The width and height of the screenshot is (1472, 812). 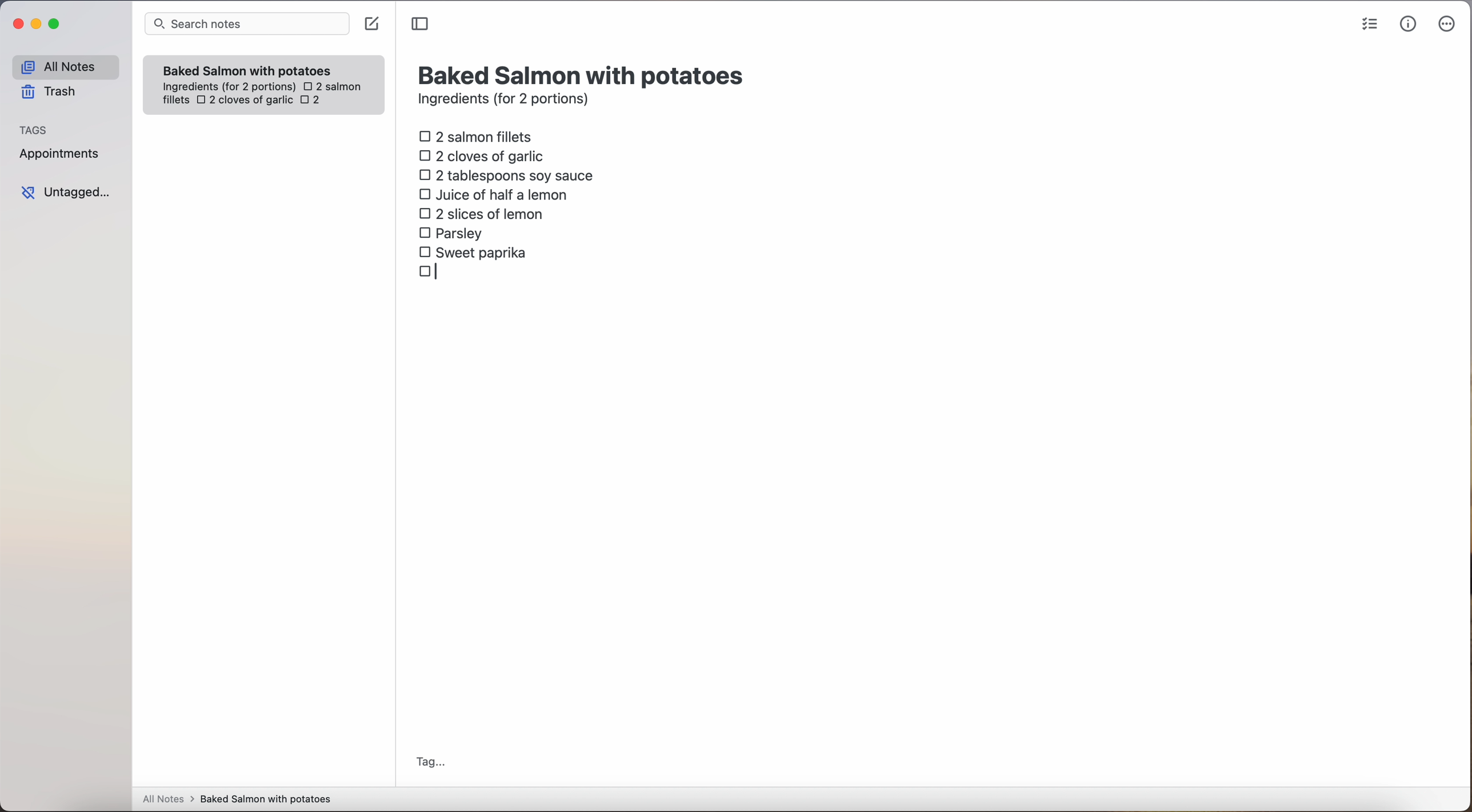 What do you see at coordinates (371, 24) in the screenshot?
I see `create note` at bounding box center [371, 24].